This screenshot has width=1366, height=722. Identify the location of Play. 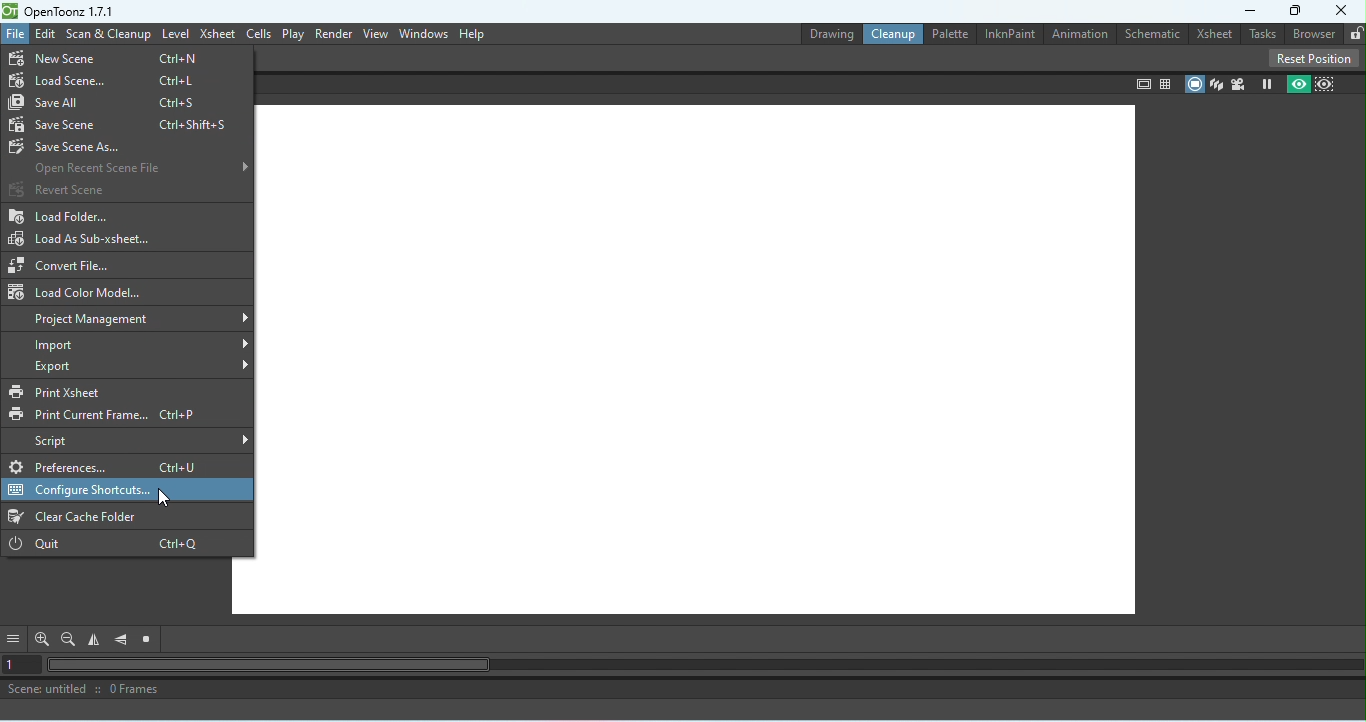
(294, 34).